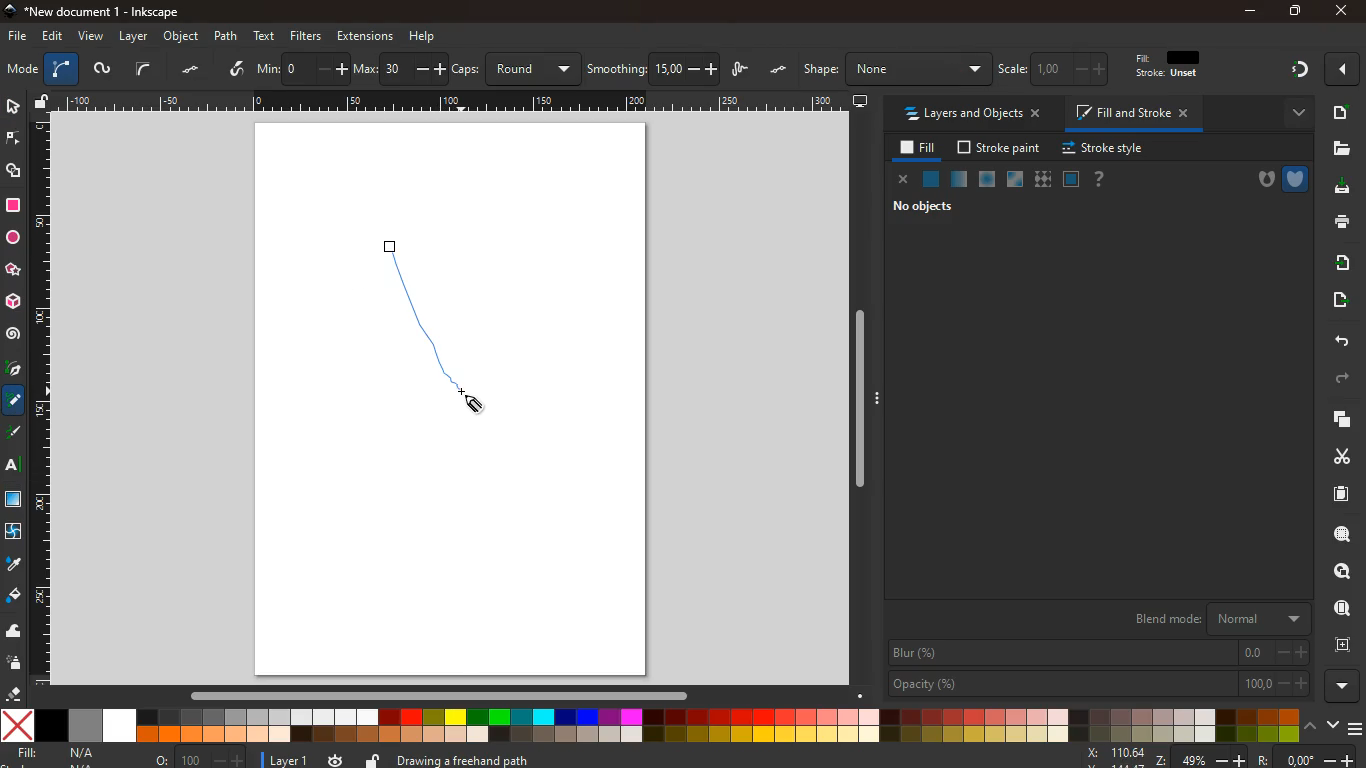 Image resolution: width=1366 pixels, height=768 pixels. I want to click on wave, so click(14, 632).